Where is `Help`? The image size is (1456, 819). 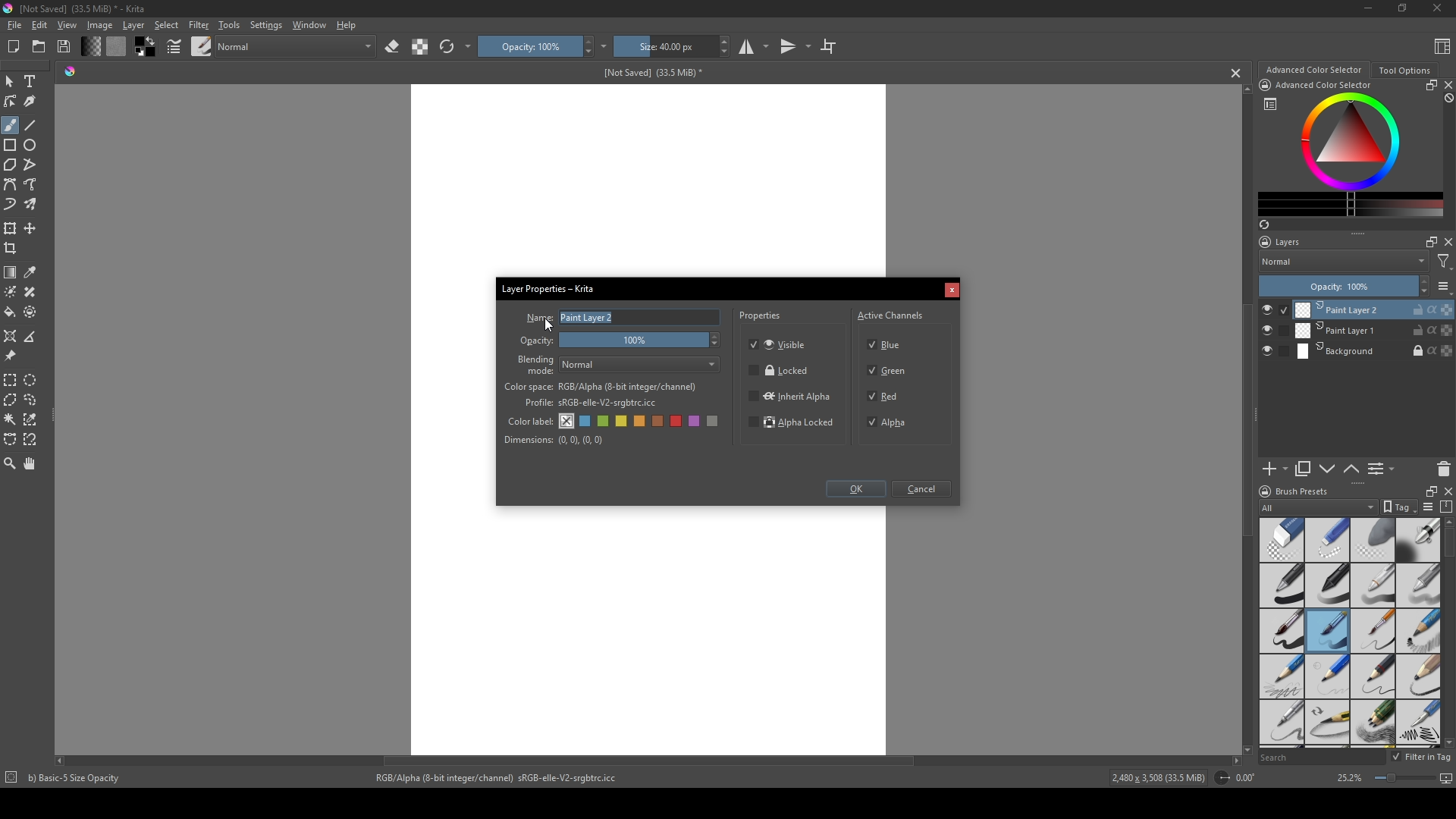 Help is located at coordinates (347, 24).